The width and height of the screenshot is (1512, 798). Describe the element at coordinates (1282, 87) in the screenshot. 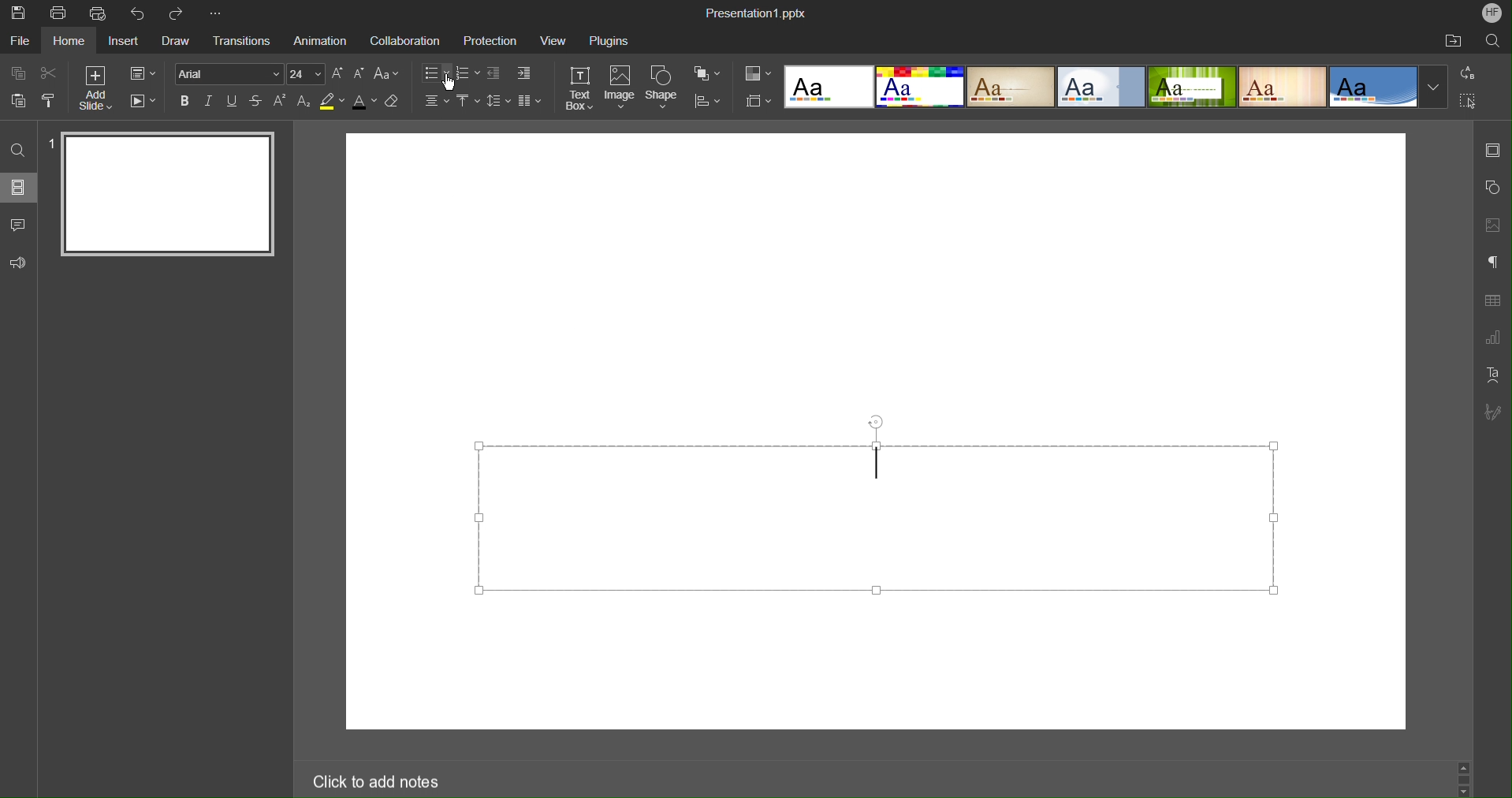

I see `template` at that location.